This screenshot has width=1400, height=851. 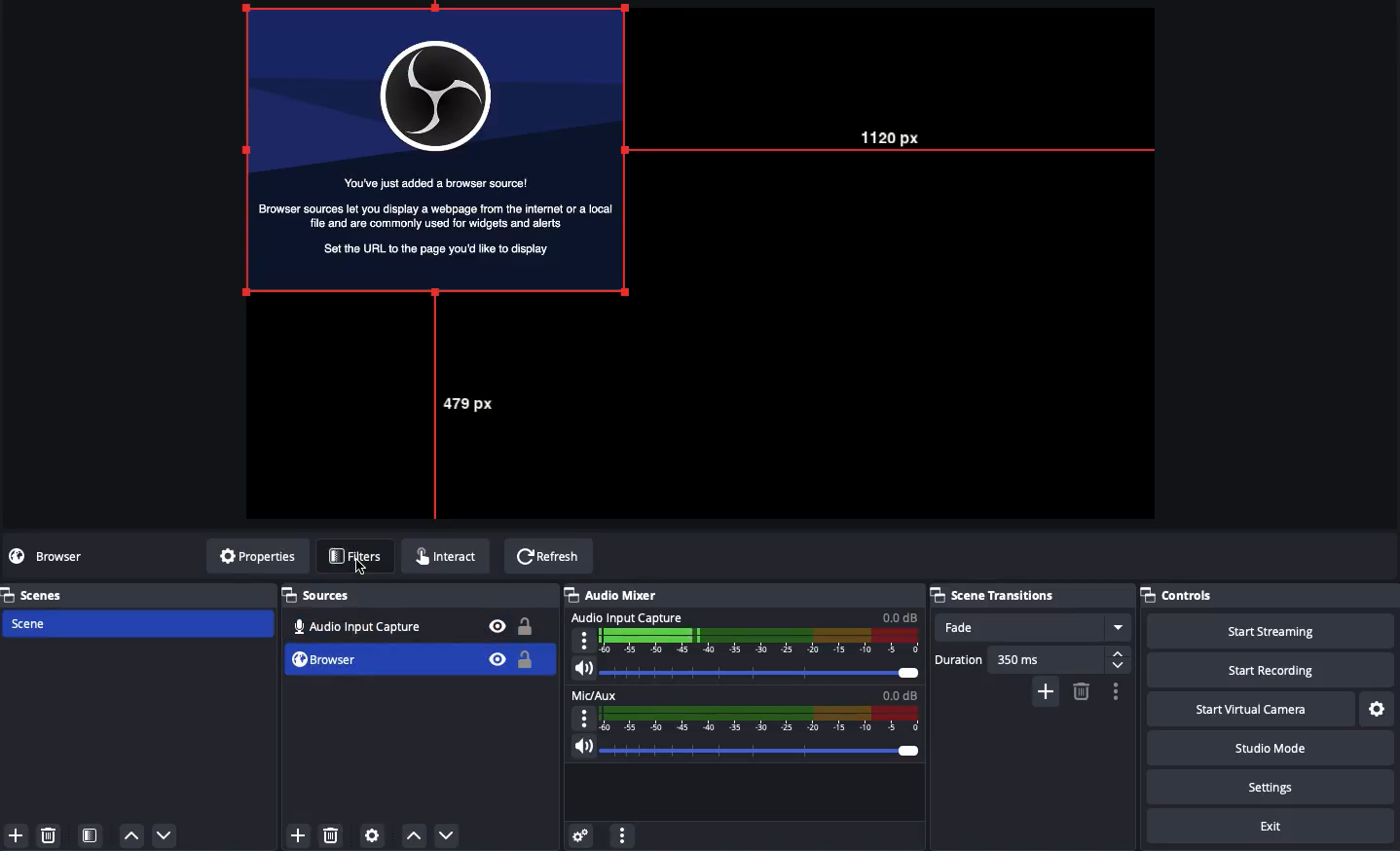 I want to click on Move down, so click(x=444, y=835).